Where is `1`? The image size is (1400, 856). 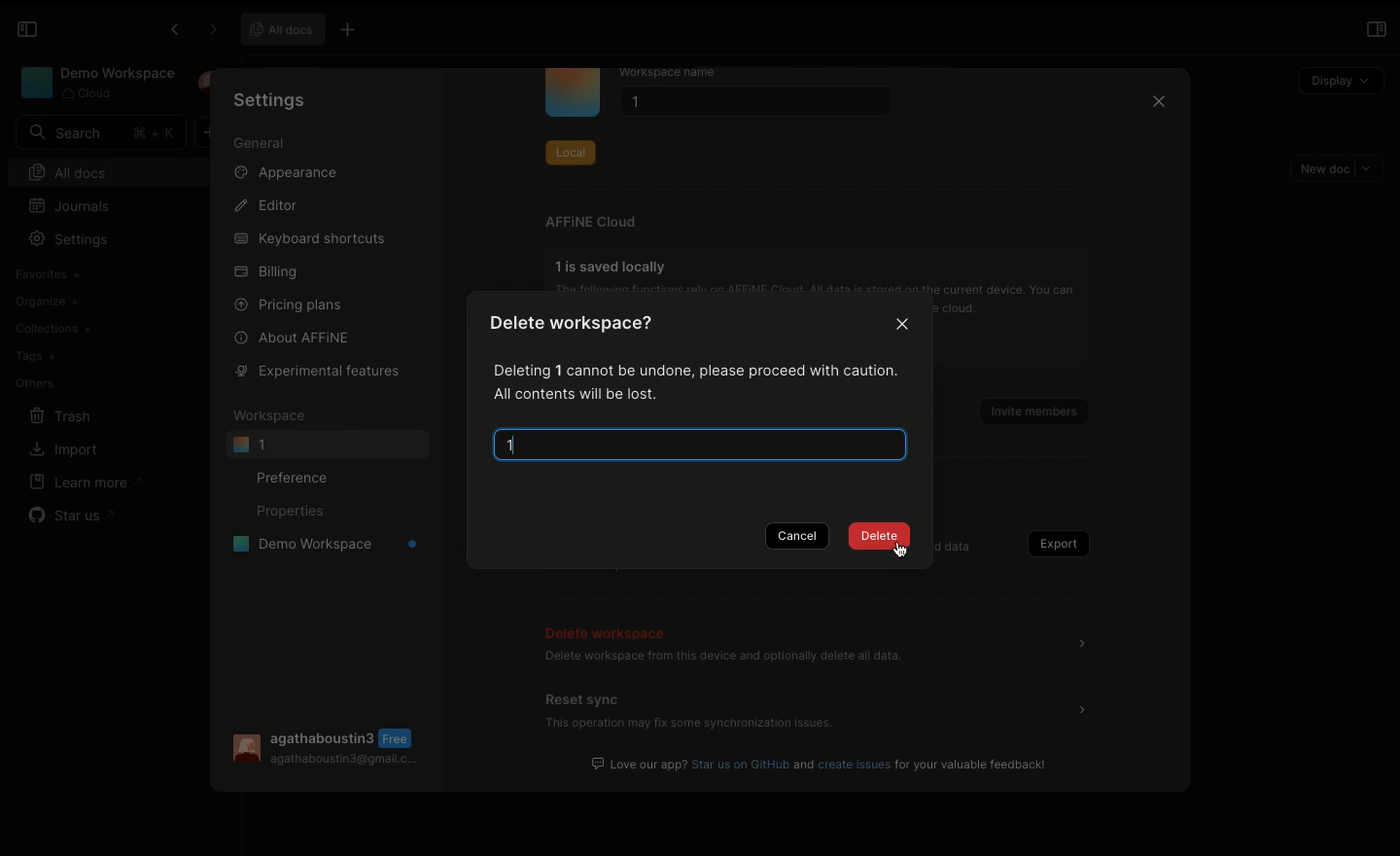
1 is located at coordinates (327, 445).